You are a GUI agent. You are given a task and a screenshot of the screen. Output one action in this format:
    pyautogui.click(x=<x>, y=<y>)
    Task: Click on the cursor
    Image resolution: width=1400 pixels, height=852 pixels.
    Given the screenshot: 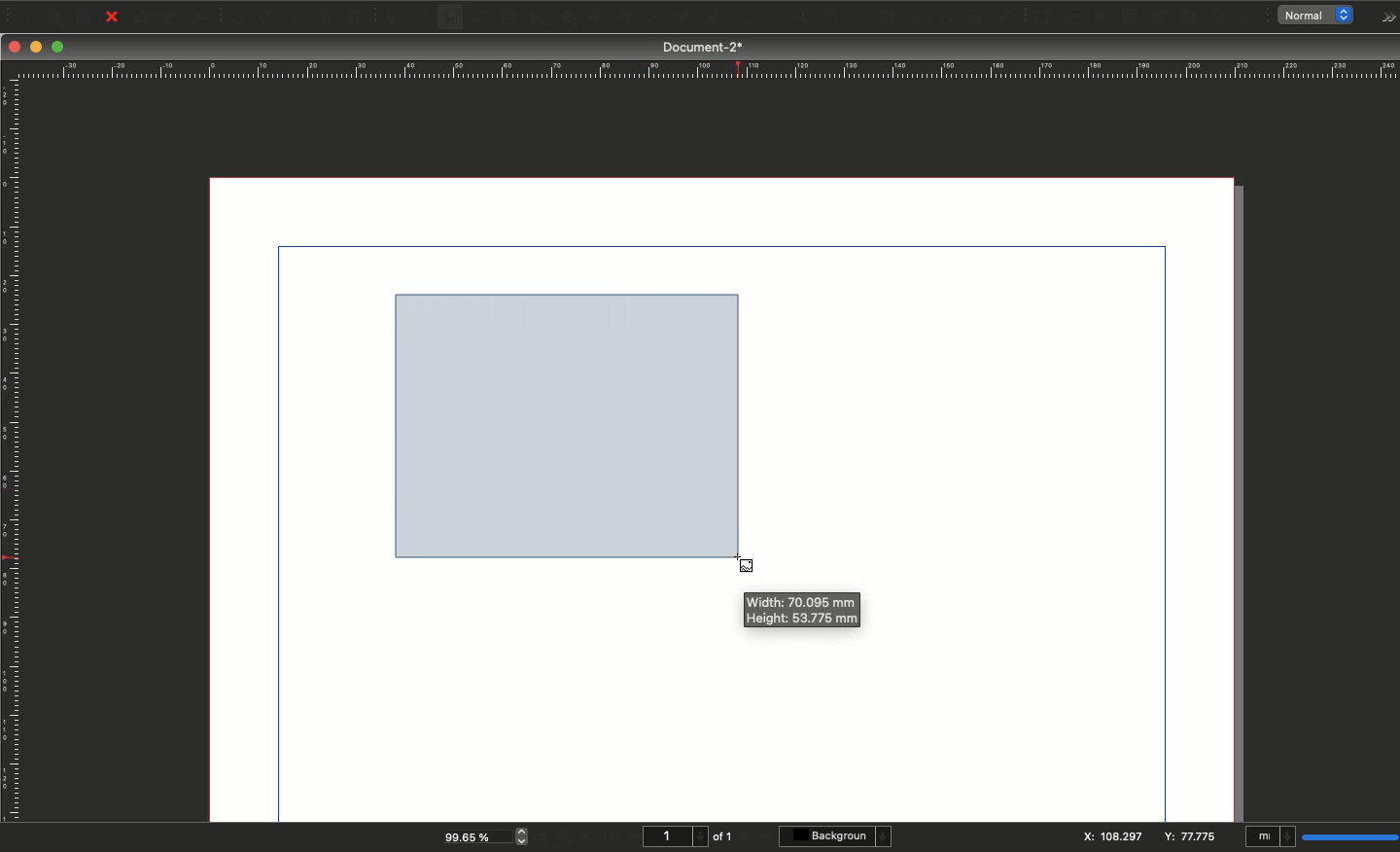 What is the action you would take?
    pyautogui.click(x=744, y=563)
    